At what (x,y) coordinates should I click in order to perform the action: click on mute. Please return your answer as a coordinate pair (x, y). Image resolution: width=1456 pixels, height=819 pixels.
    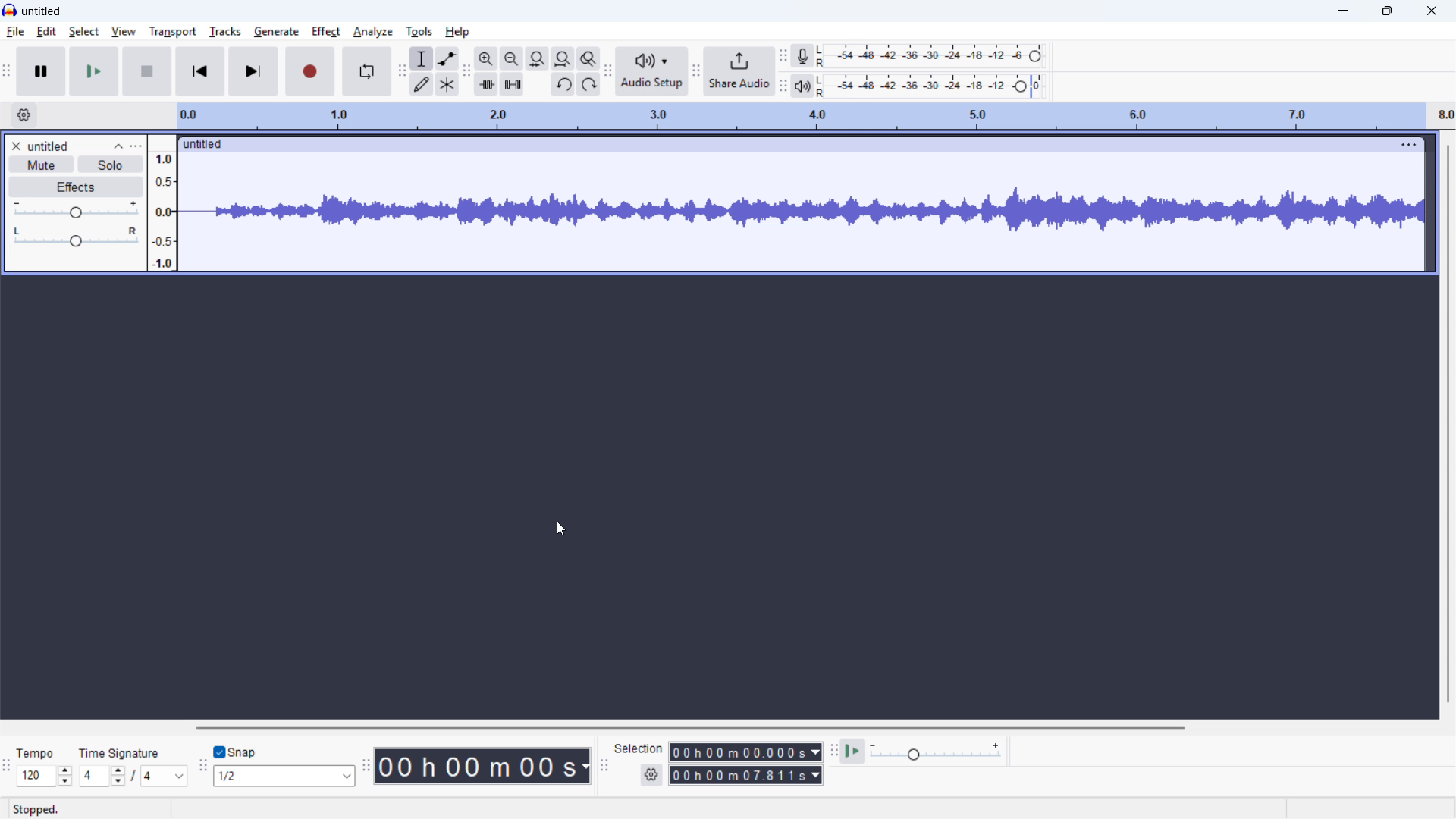
    Looking at the image, I should click on (42, 165).